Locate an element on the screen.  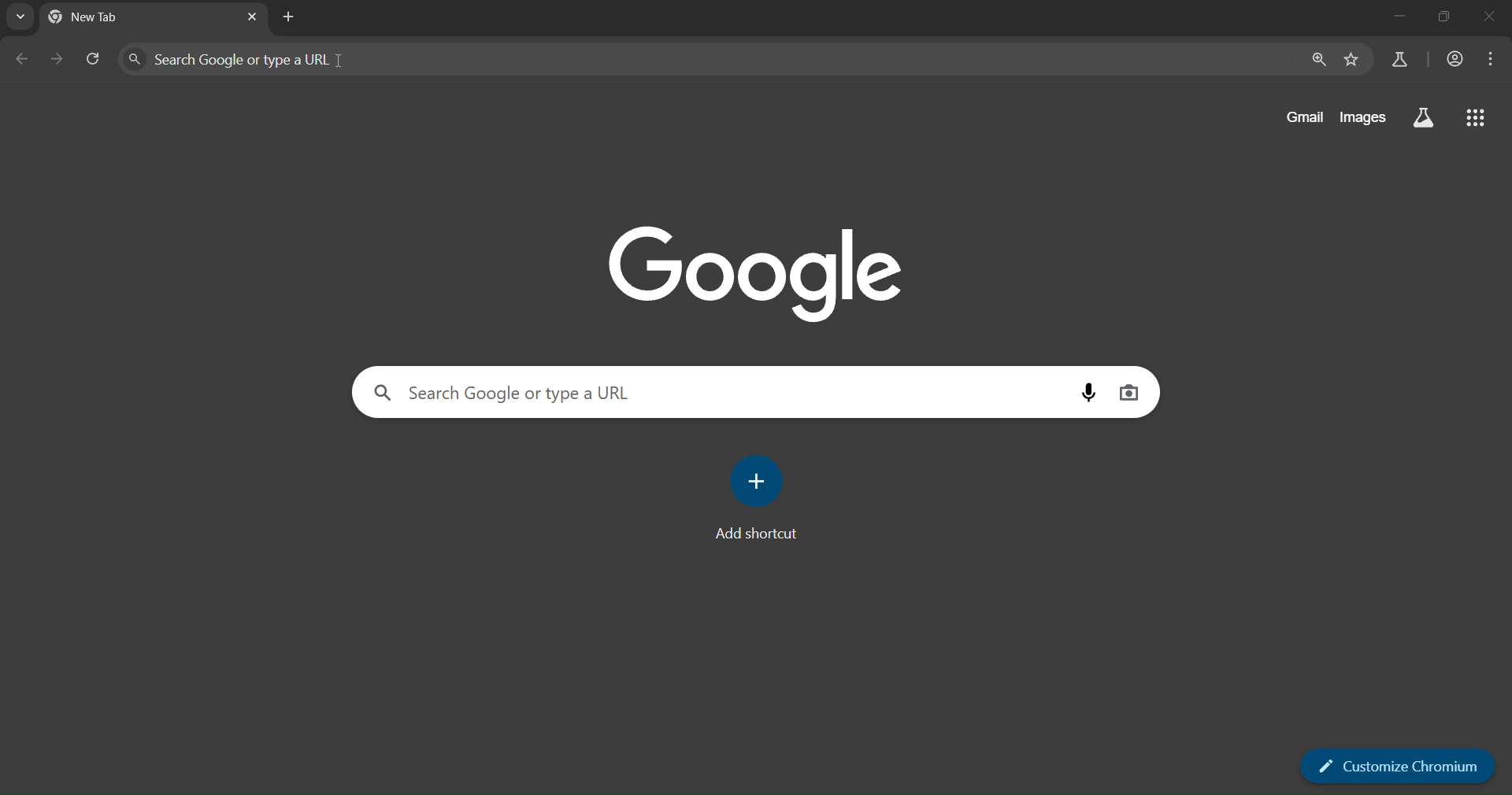
go forward one page is located at coordinates (58, 58).